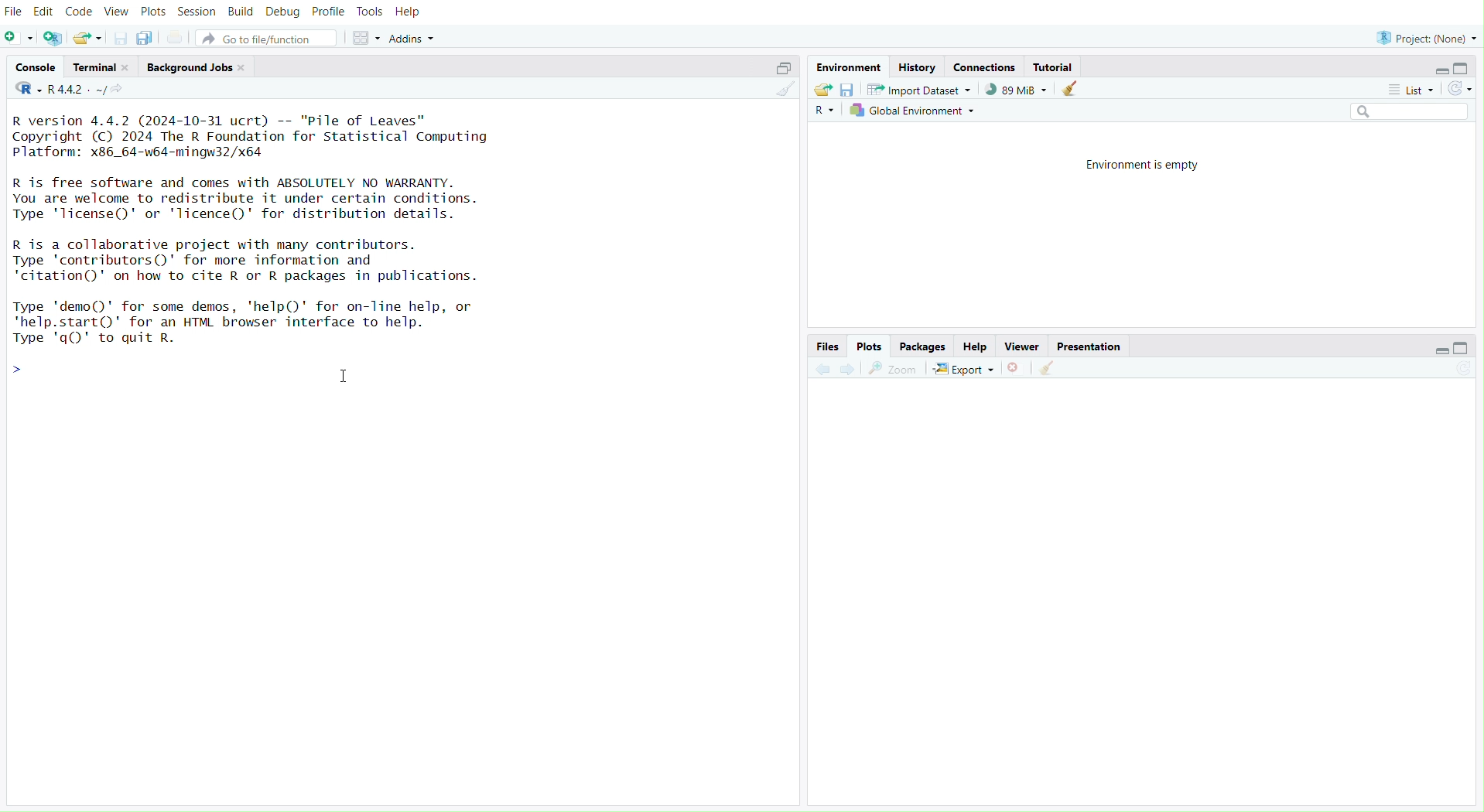 This screenshot has height=812, width=1484. What do you see at coordinates (239, 13) in the screenshot?
I see `Build` at bounding box center [239, 13].